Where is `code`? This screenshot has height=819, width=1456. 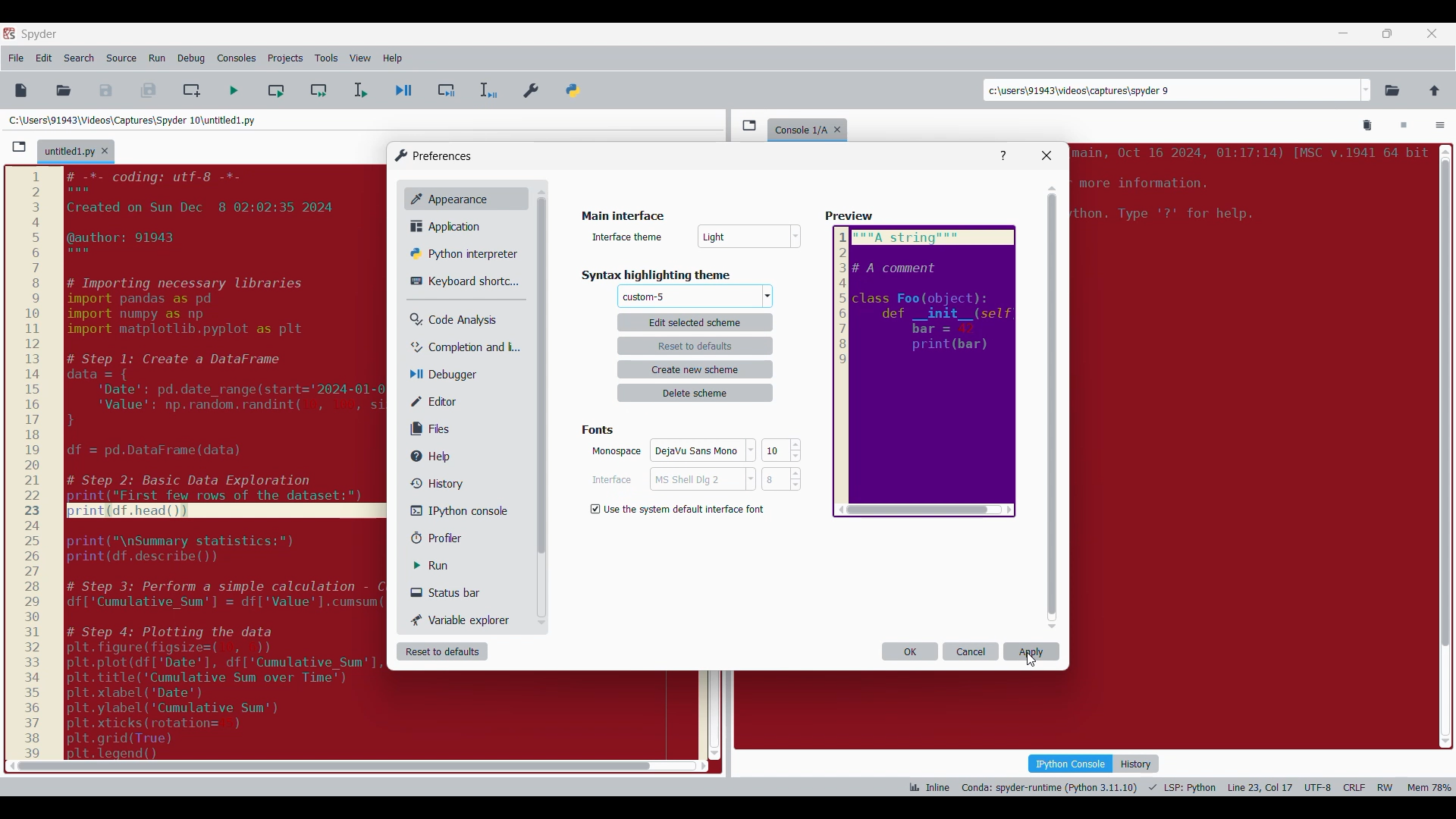 code is located at coordinates (227, 461).